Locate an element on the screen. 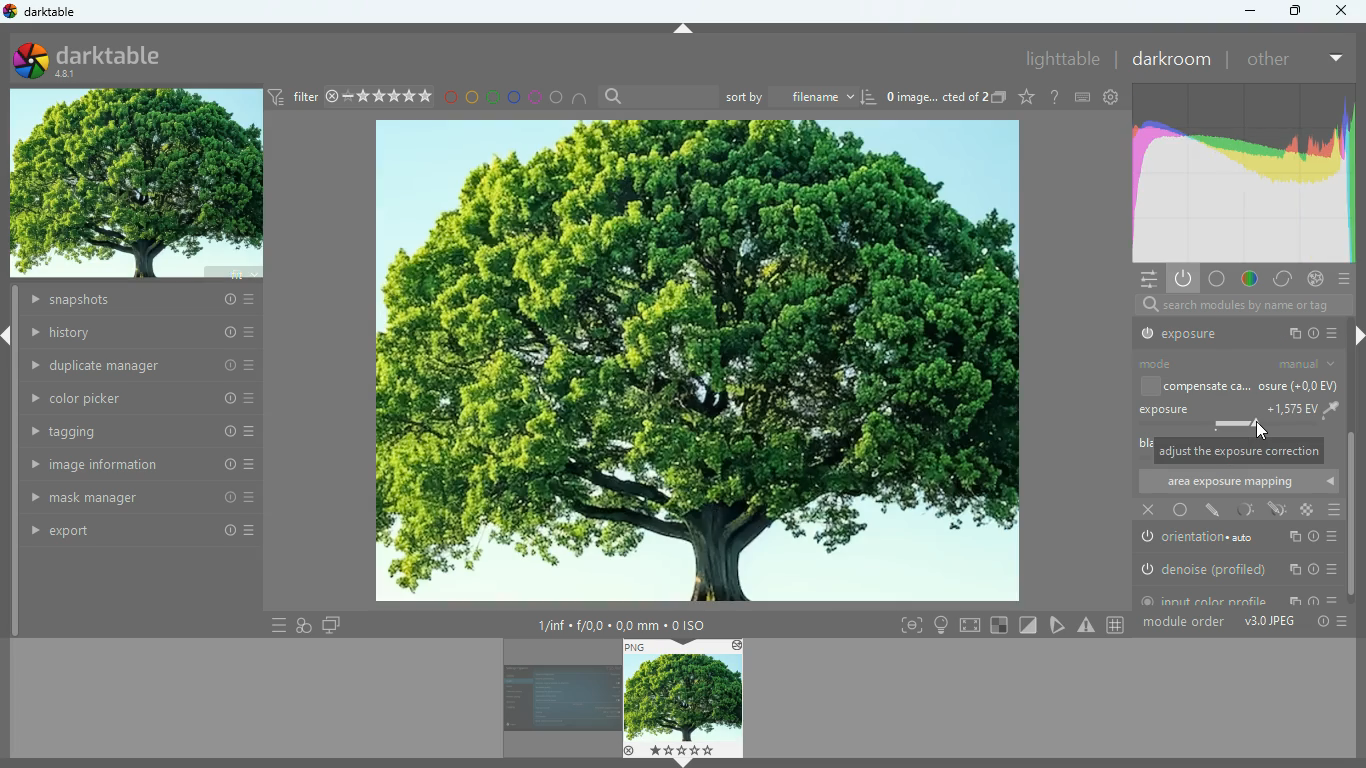  frame is located at coordinates (912, 625).